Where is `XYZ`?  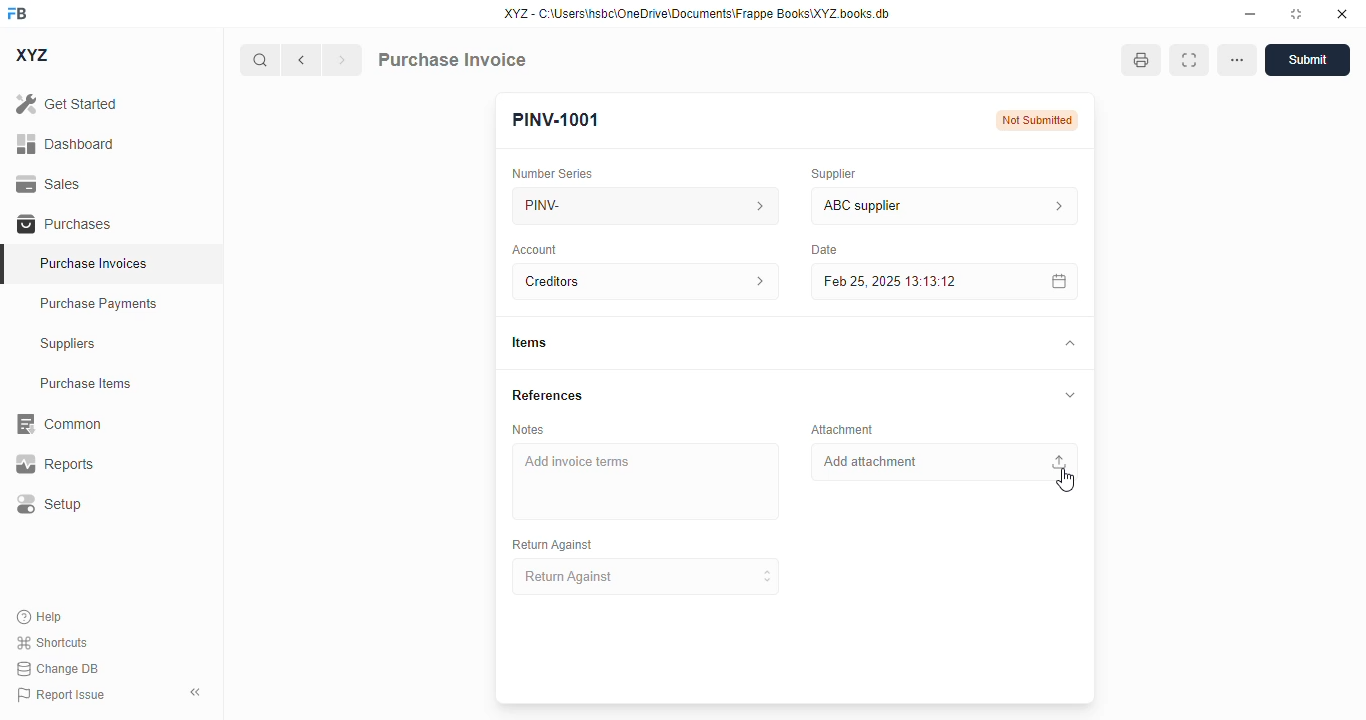
XYZ is located at coordinates (34, 55).